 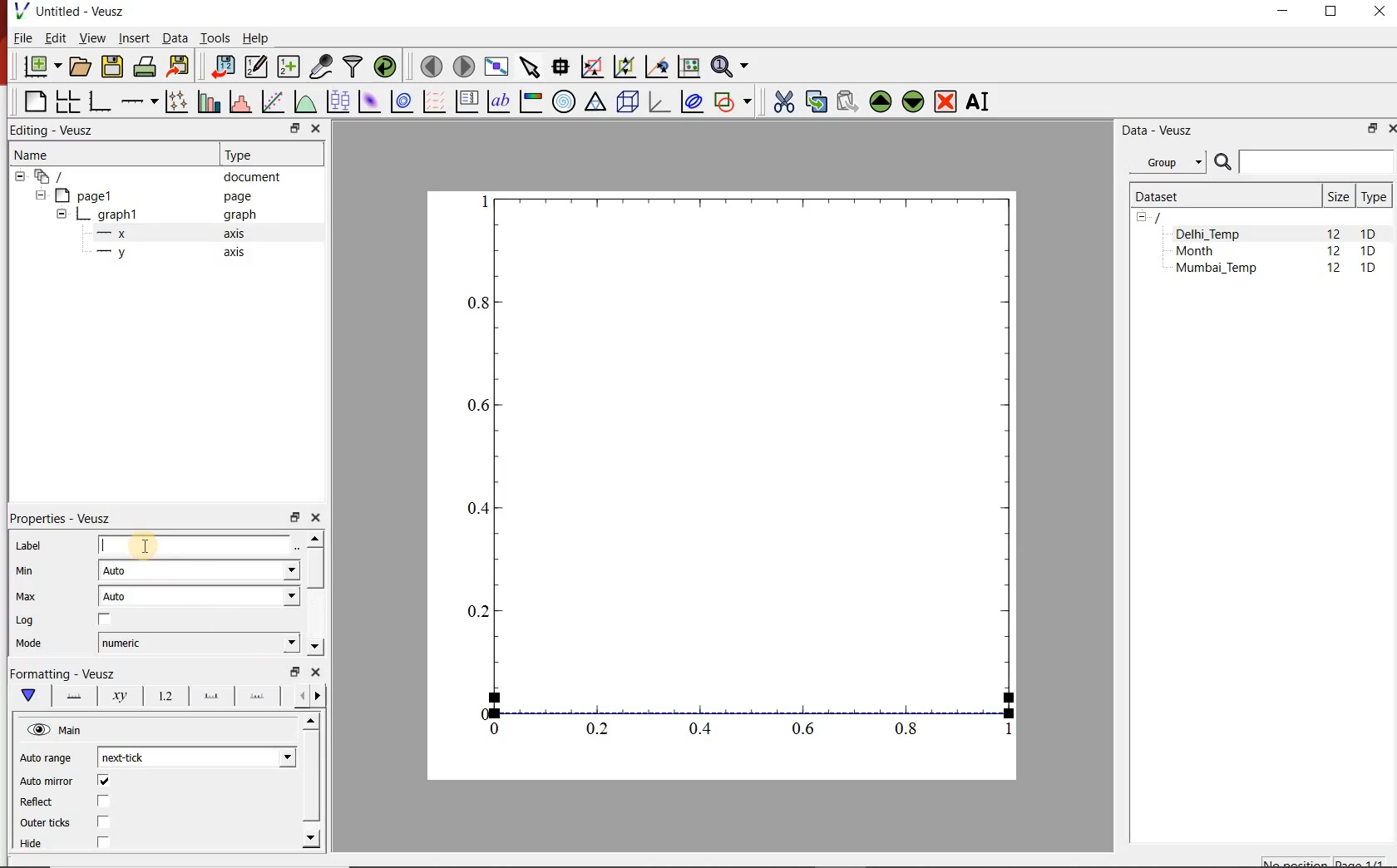 I want to click on view plot full screen, so click(x=496, y=67).